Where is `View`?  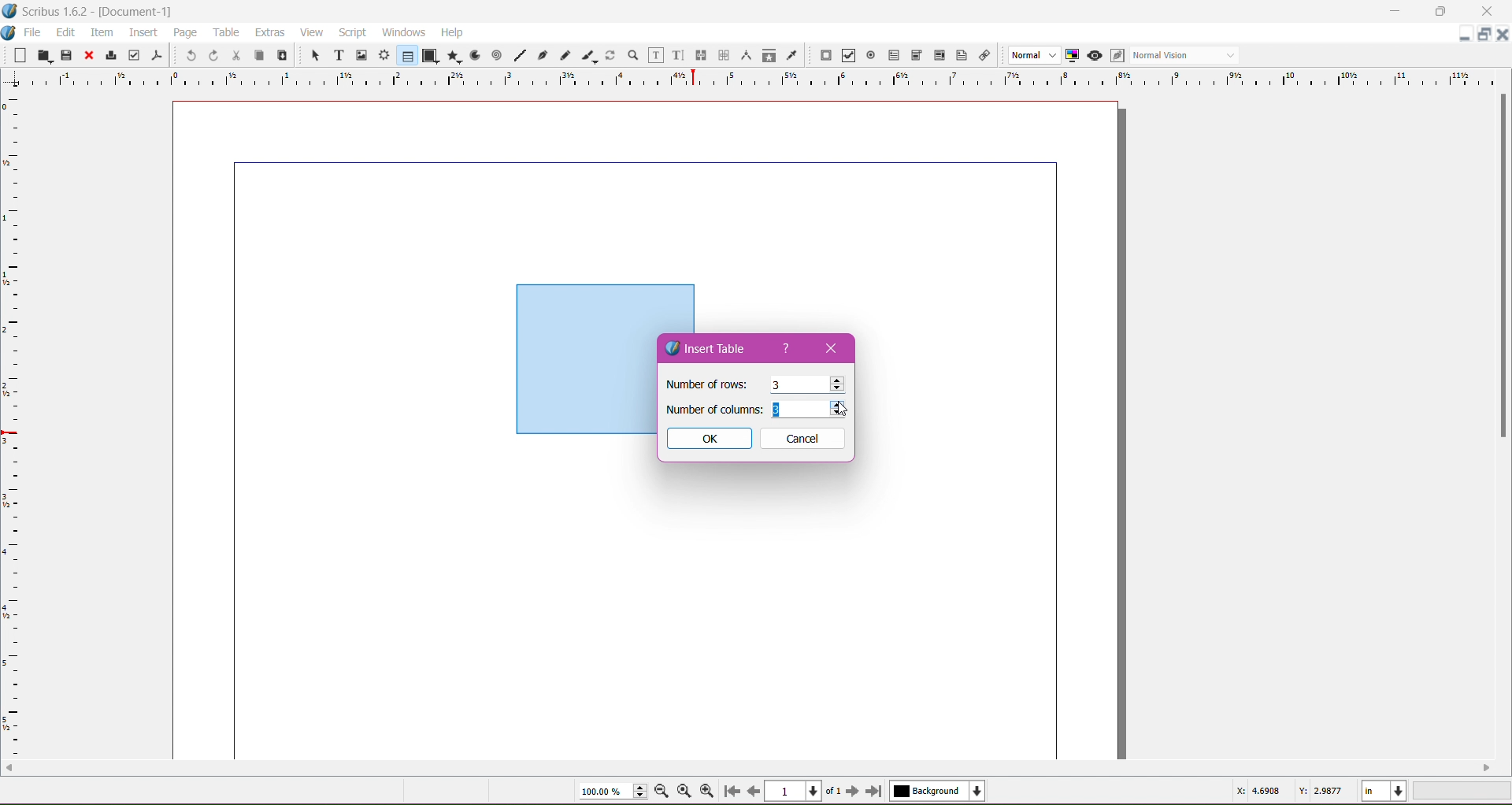 View is located at coordinates (312, 32).